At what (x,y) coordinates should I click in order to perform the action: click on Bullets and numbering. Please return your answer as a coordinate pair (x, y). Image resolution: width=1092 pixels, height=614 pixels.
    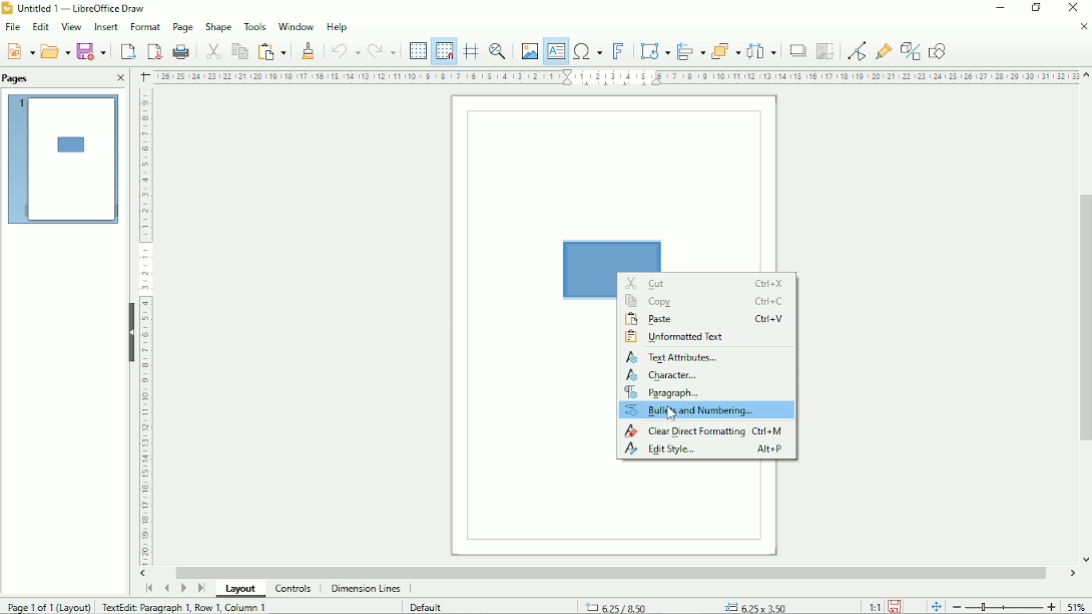
    Looking at the image, I should click on (705, 411).